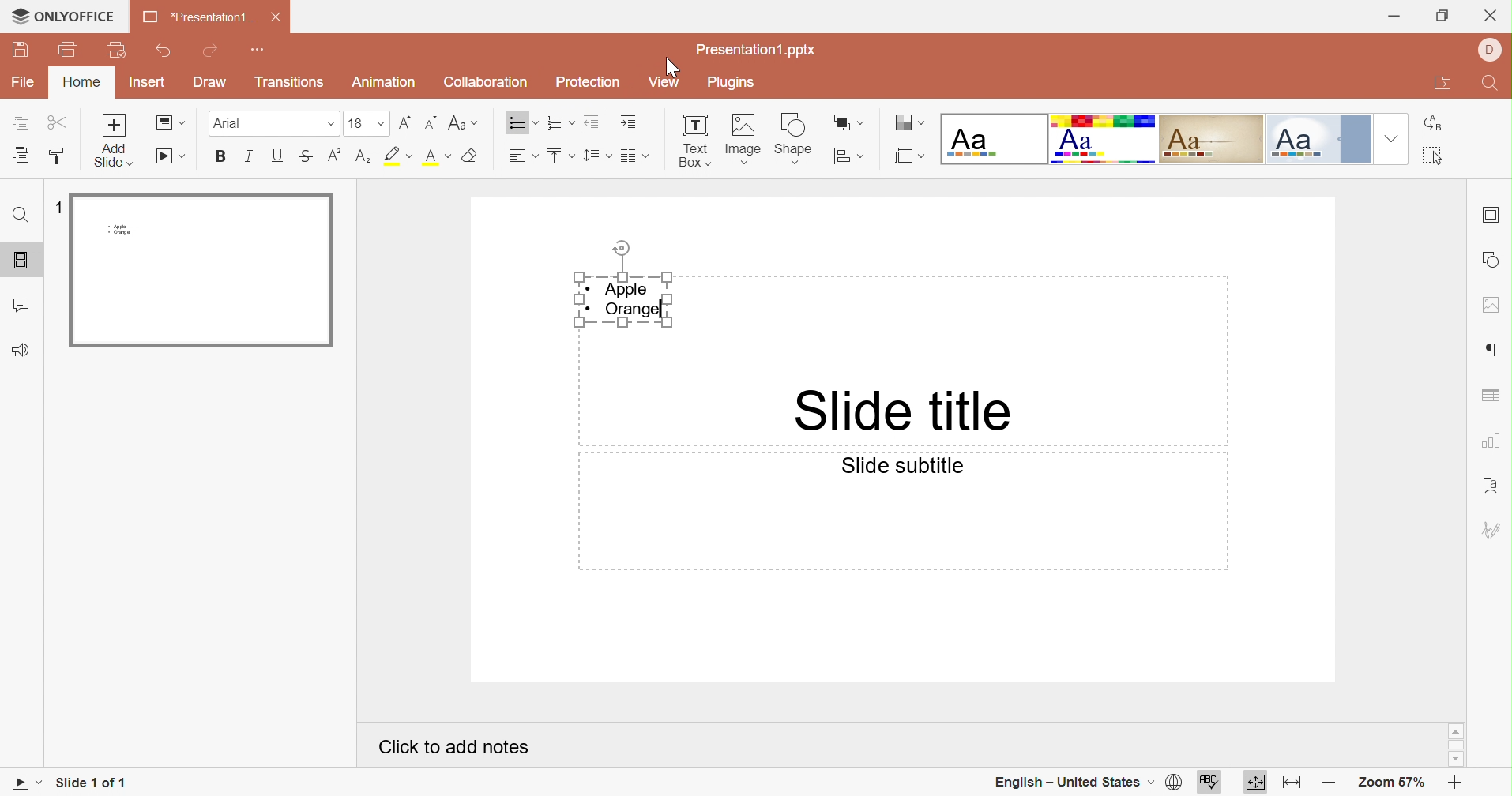  I want to click on Redo, so click(210, 52).